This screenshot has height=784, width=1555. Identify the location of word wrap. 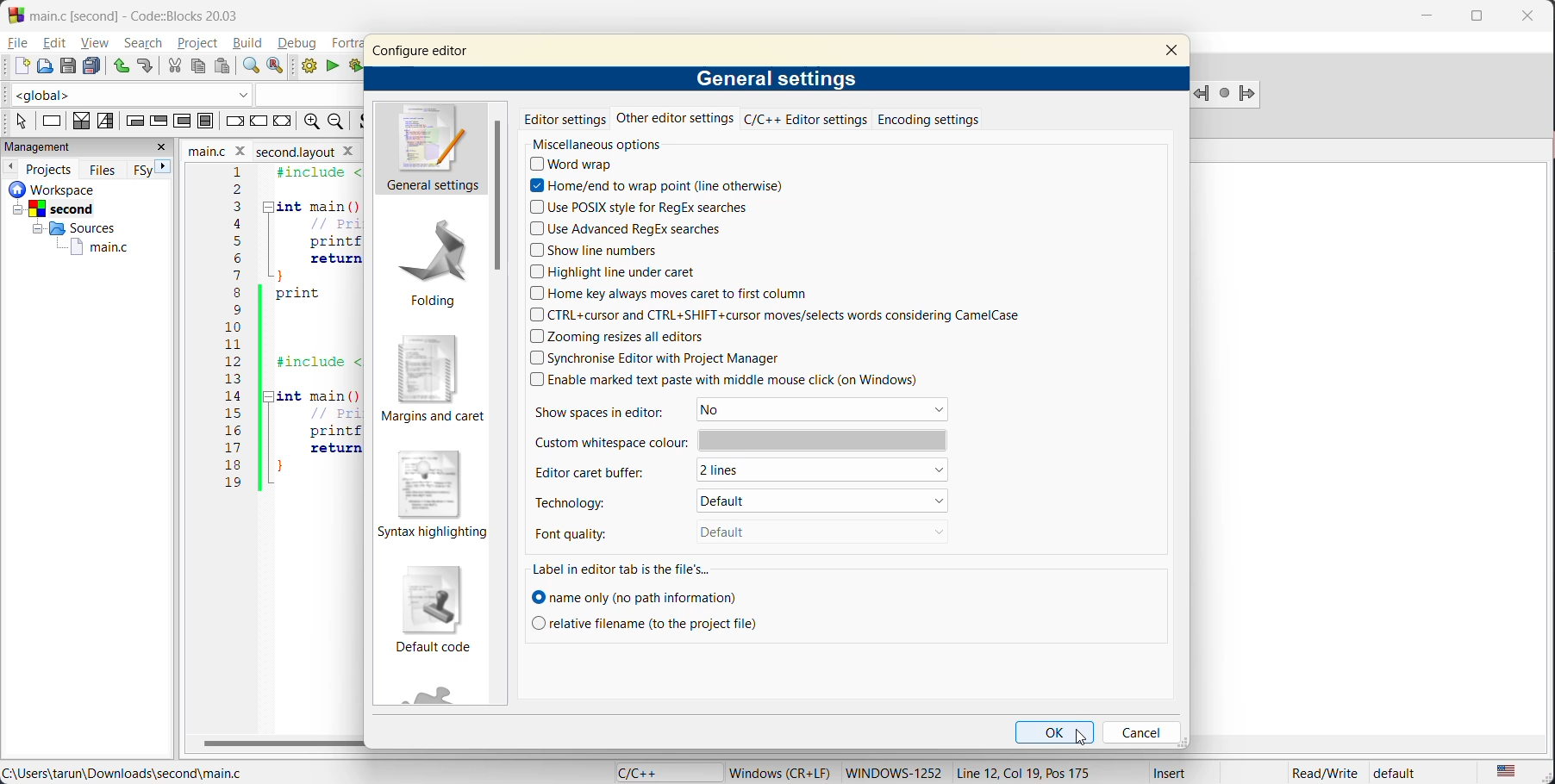
(578, 165).